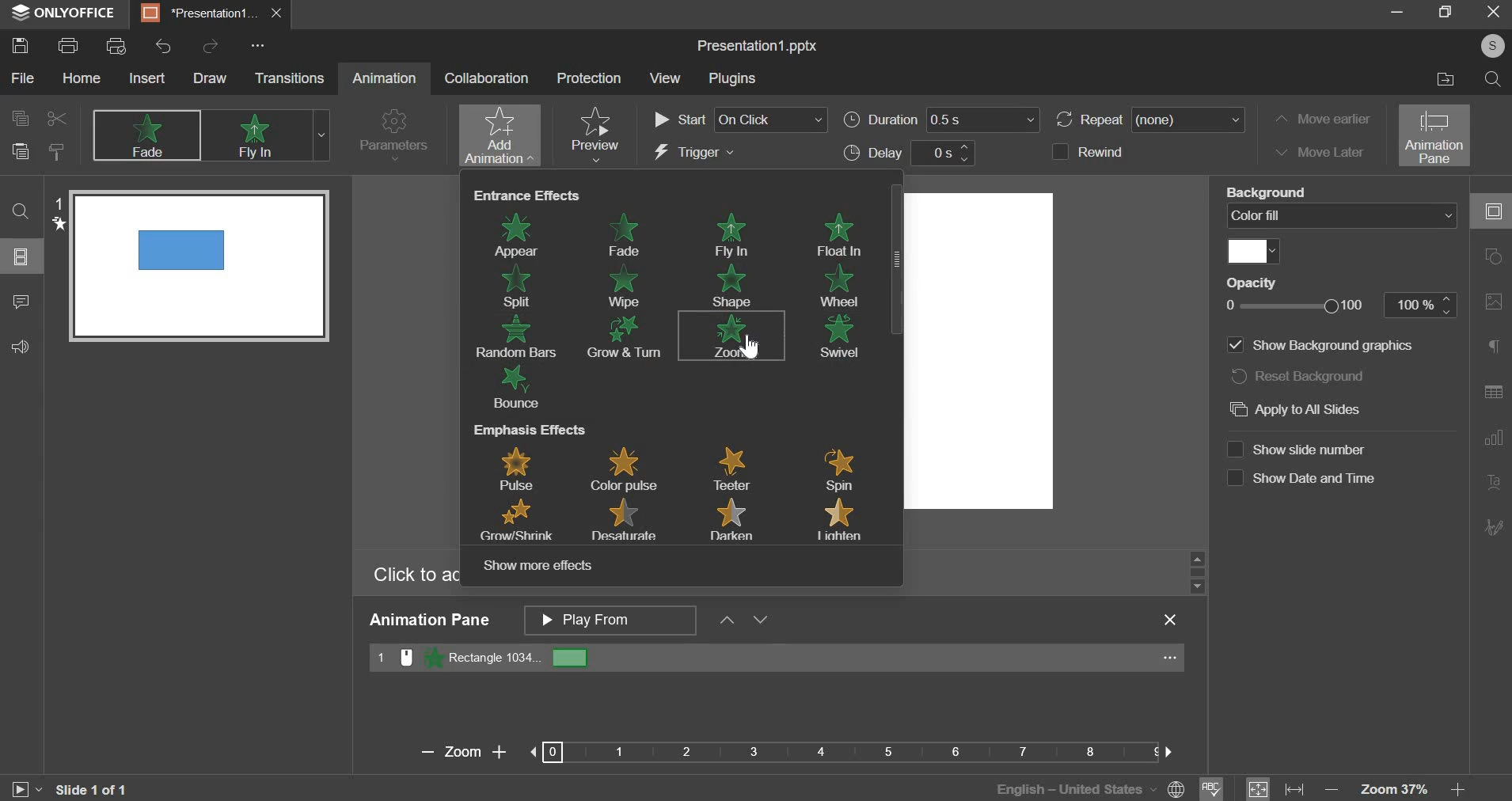  What do you see at coordinates (1267, 191) in the screenshot?
I see `Fill` at bounding box center [1267, 191].